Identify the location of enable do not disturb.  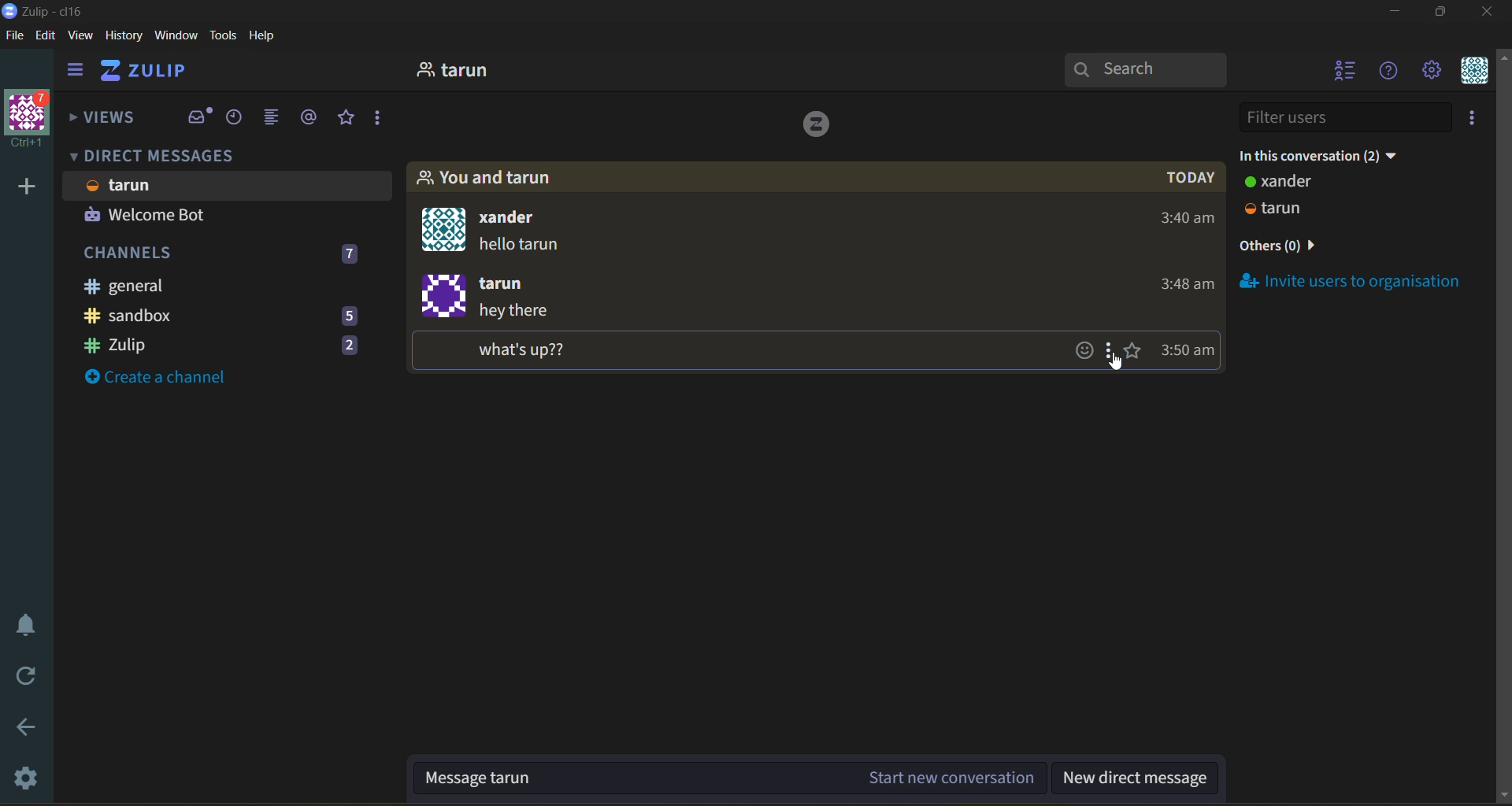
(24, 625).